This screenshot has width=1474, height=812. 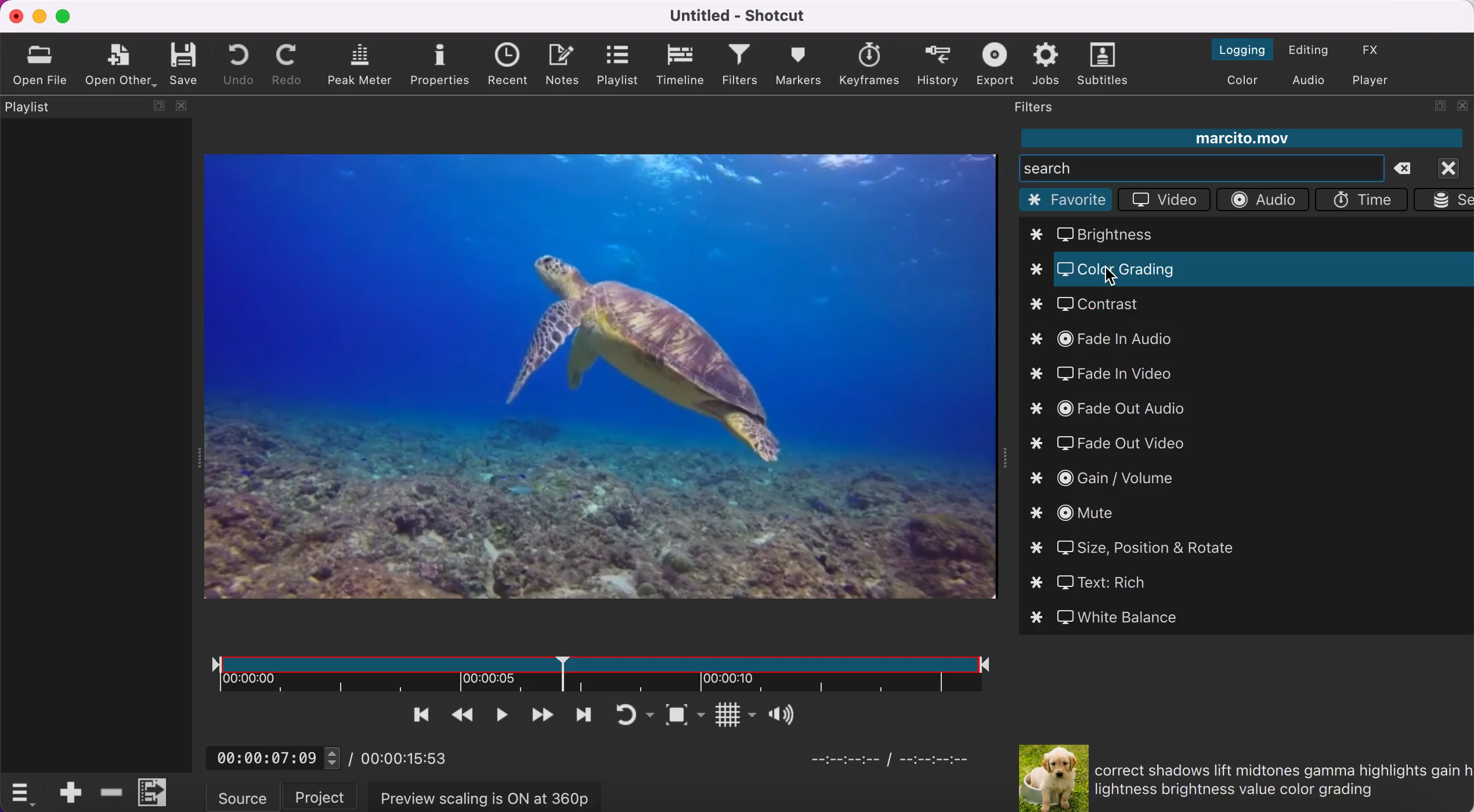 What do you see at coordinates (1104, 66) in the screenshot?
I see `subtitles` at bounding box center [1104, 66].